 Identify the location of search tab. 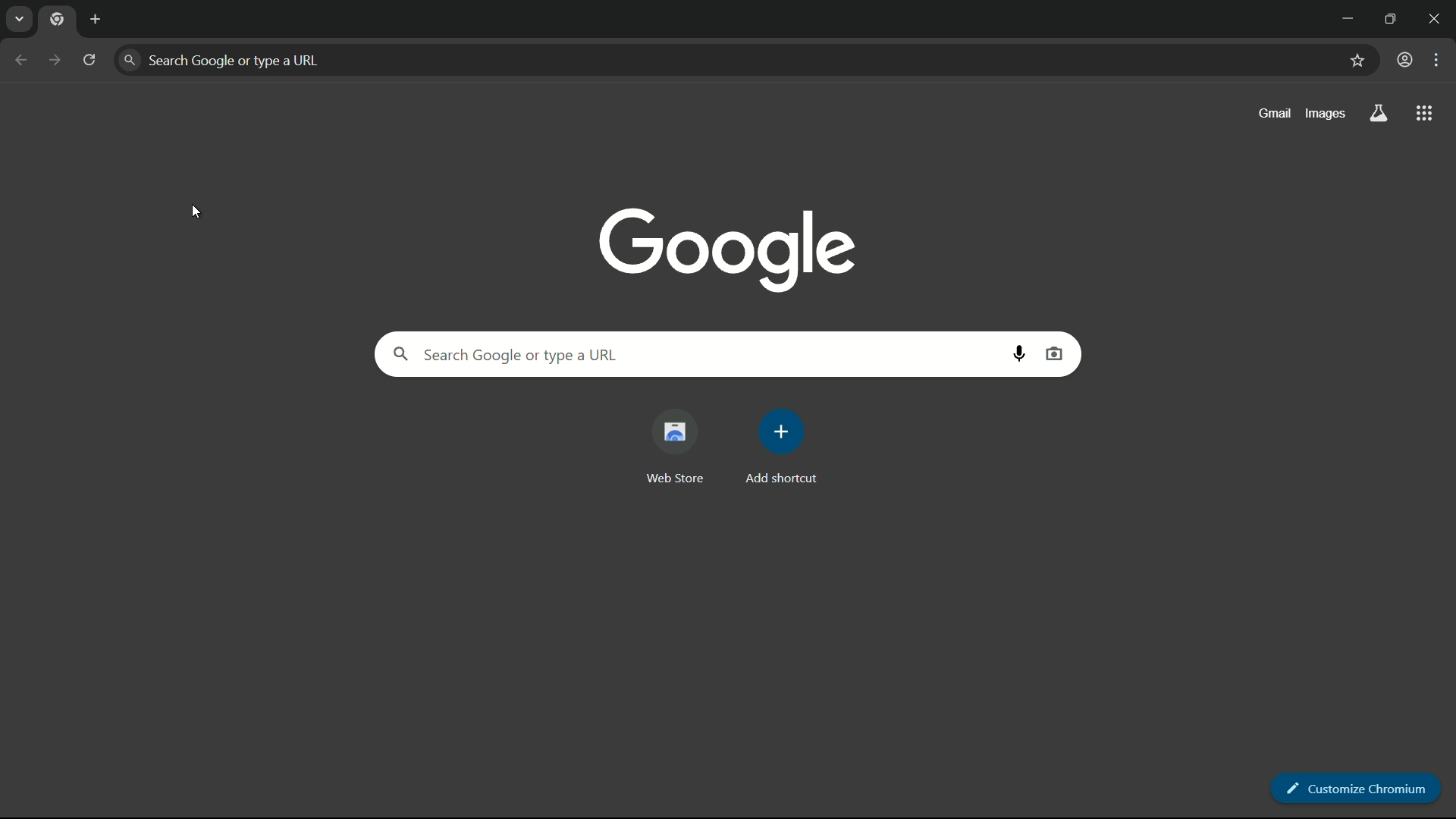
(20, 20).